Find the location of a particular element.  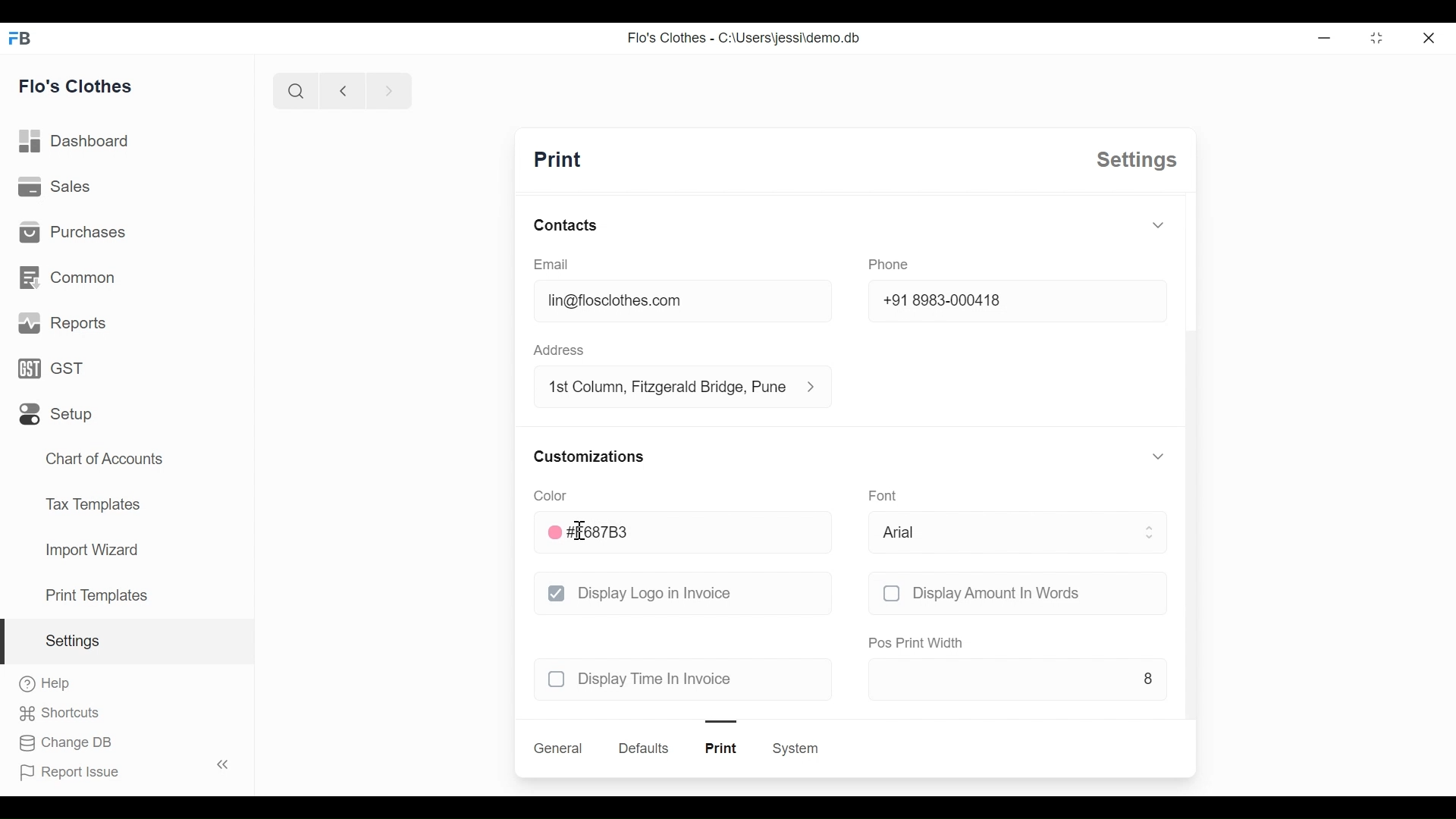

chart of accounts is located at coordinates (106, 460).